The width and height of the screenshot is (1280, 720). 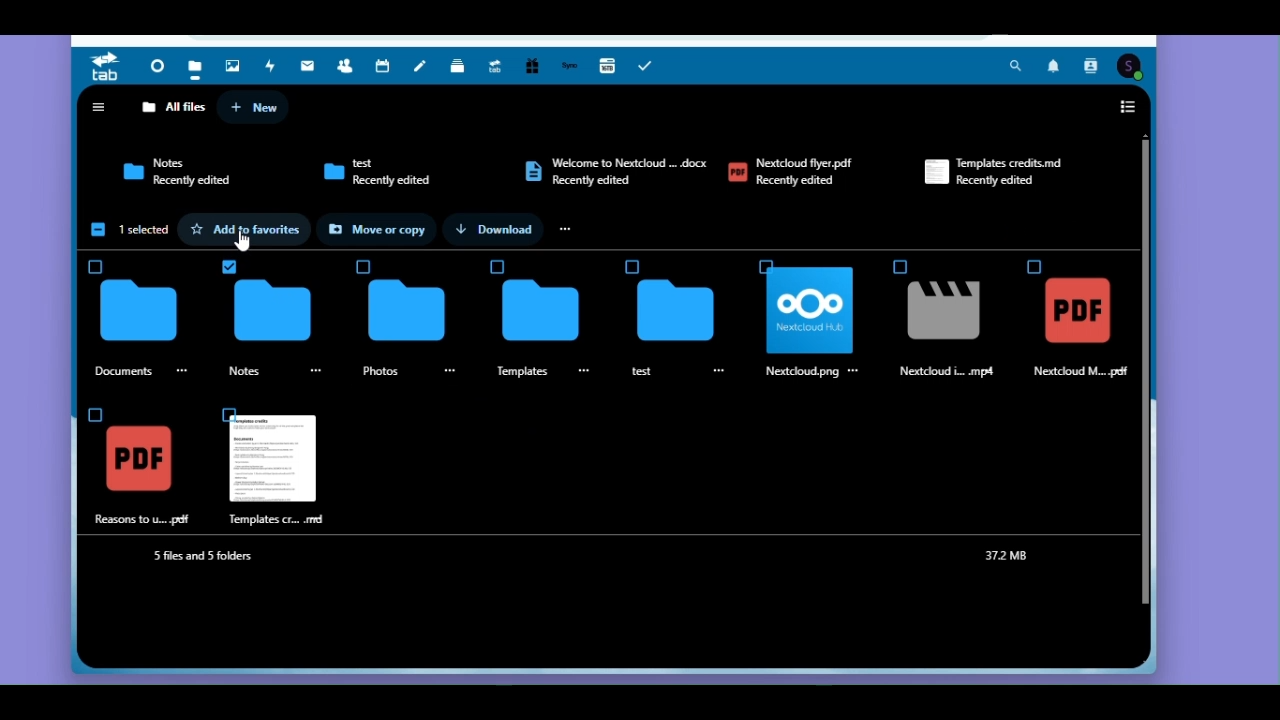 I want to click on Check Box, so click(x=765, y=265).